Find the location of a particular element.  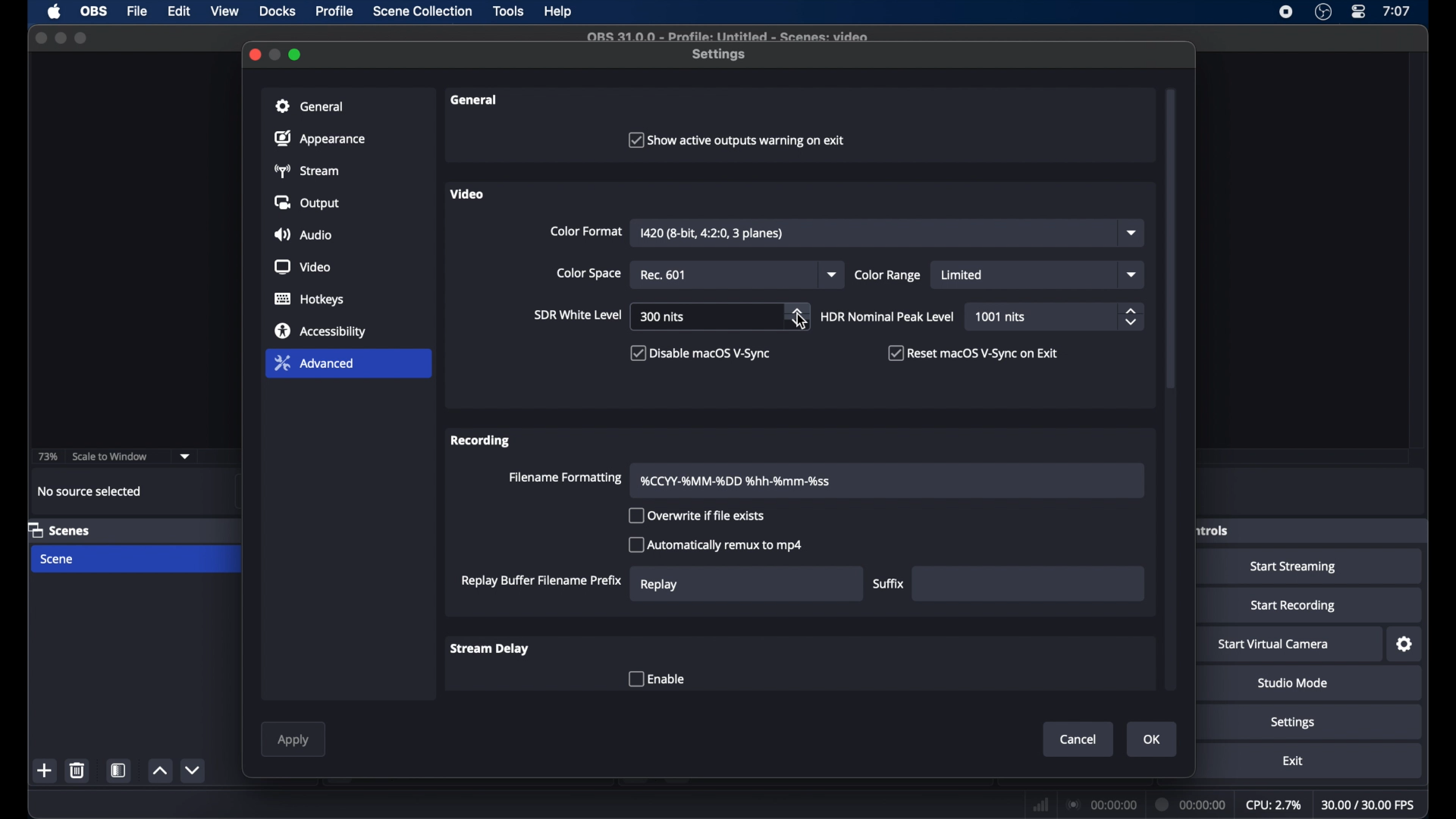

close is located at coordinates (40, 38).